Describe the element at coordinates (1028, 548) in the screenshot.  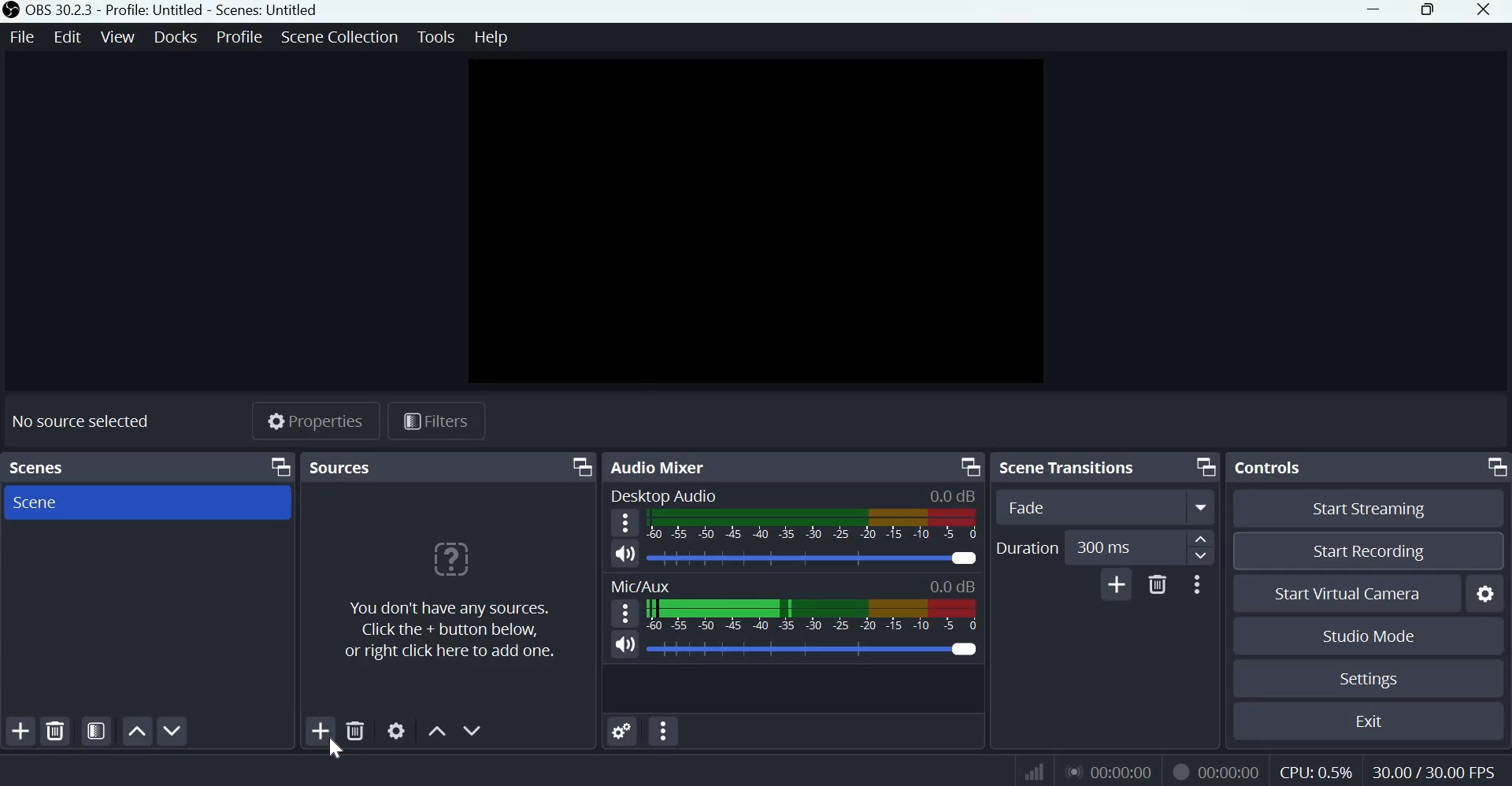
I see `Duration` at that location.